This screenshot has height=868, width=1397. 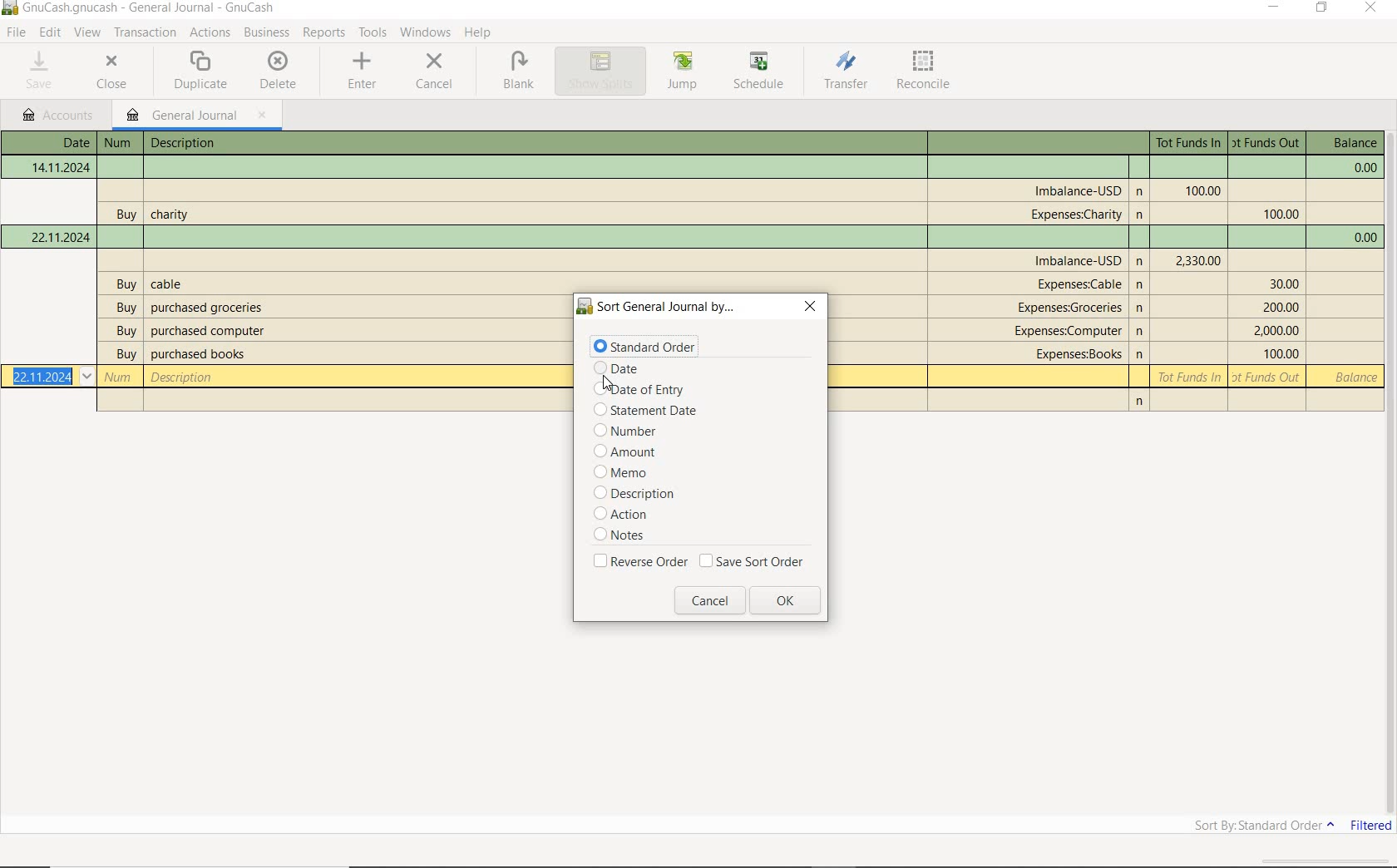 I want to click on FILTERED, so click(x=1369, y=830).